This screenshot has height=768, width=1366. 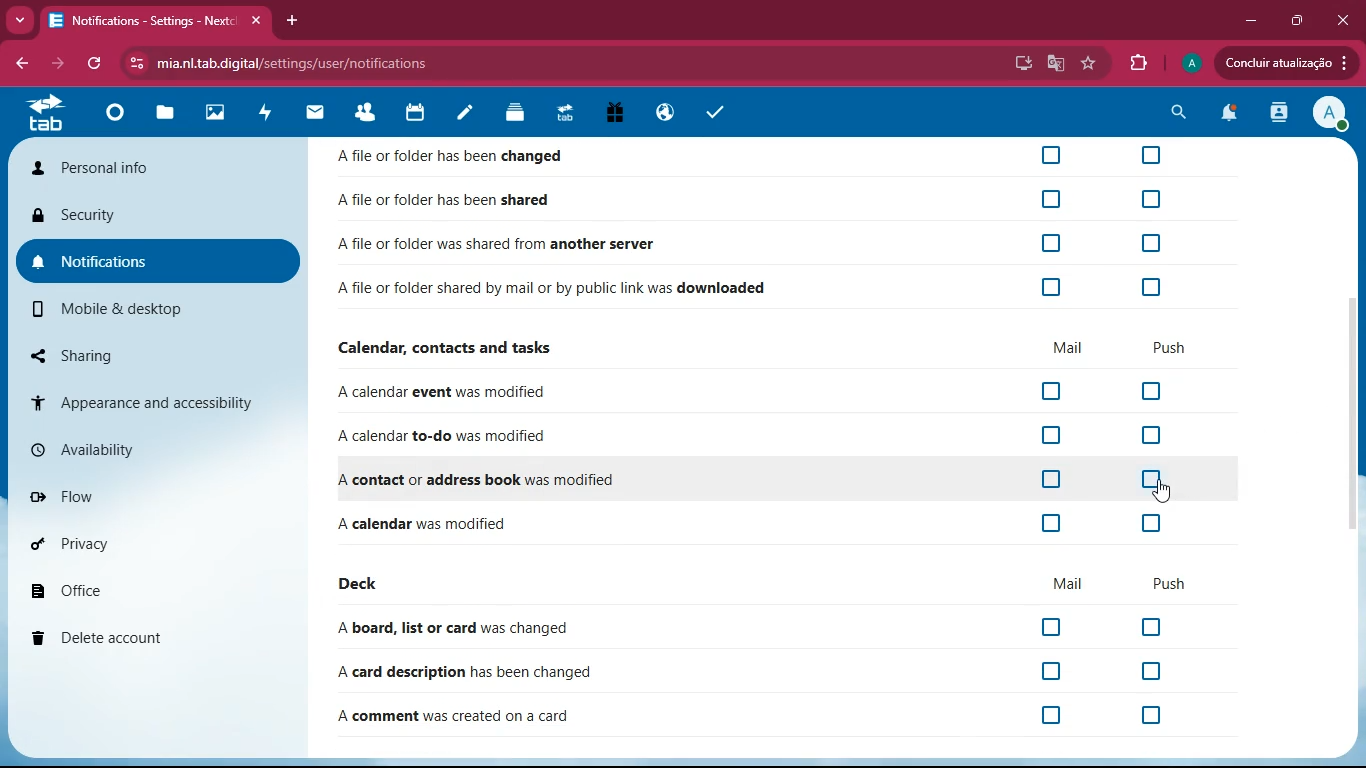 I want to click on privacy, so click(x=137, y=545).